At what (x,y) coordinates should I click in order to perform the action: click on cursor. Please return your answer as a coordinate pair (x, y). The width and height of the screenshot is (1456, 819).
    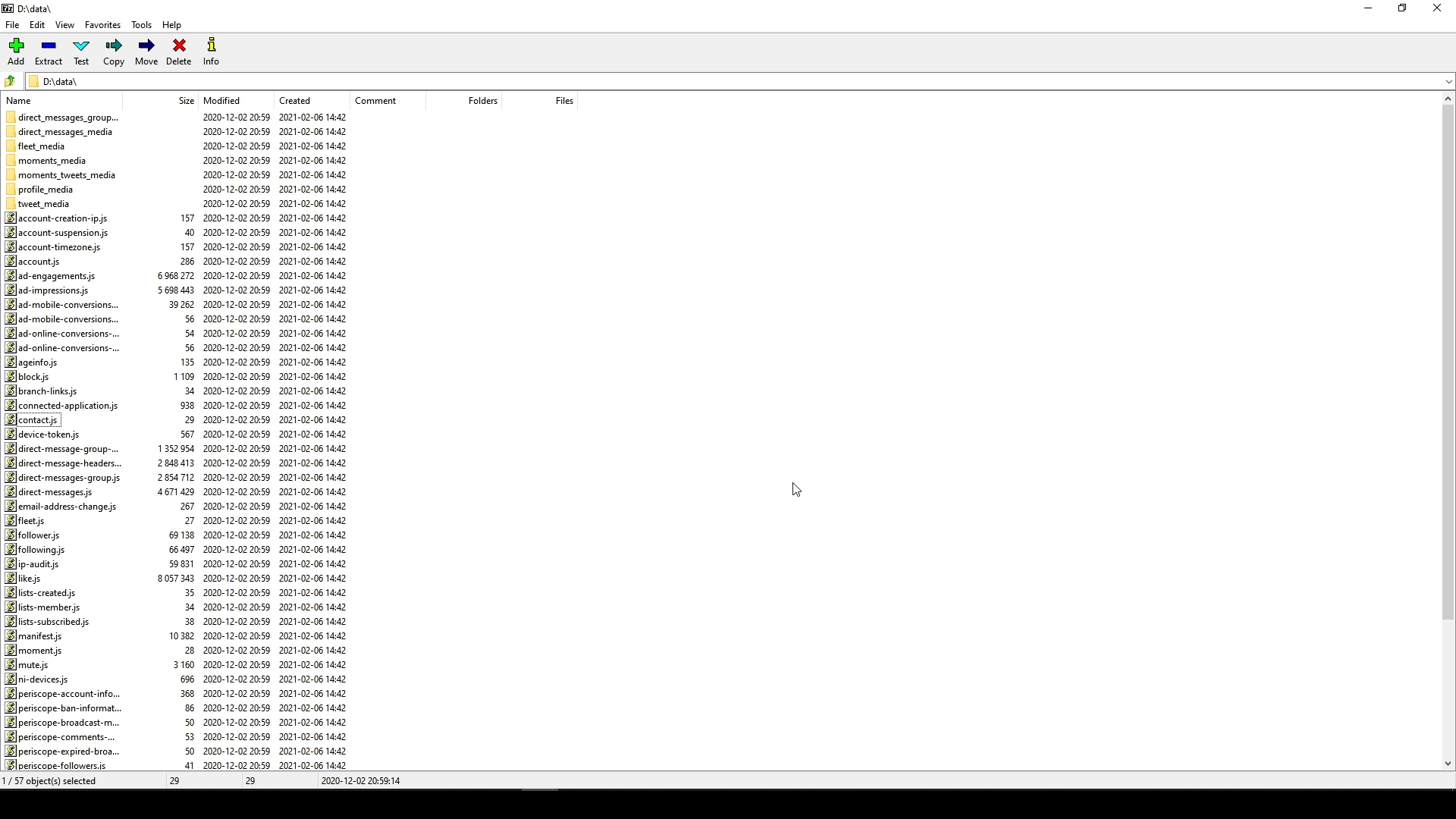
    Looking at the image, I should click on (802, 491).